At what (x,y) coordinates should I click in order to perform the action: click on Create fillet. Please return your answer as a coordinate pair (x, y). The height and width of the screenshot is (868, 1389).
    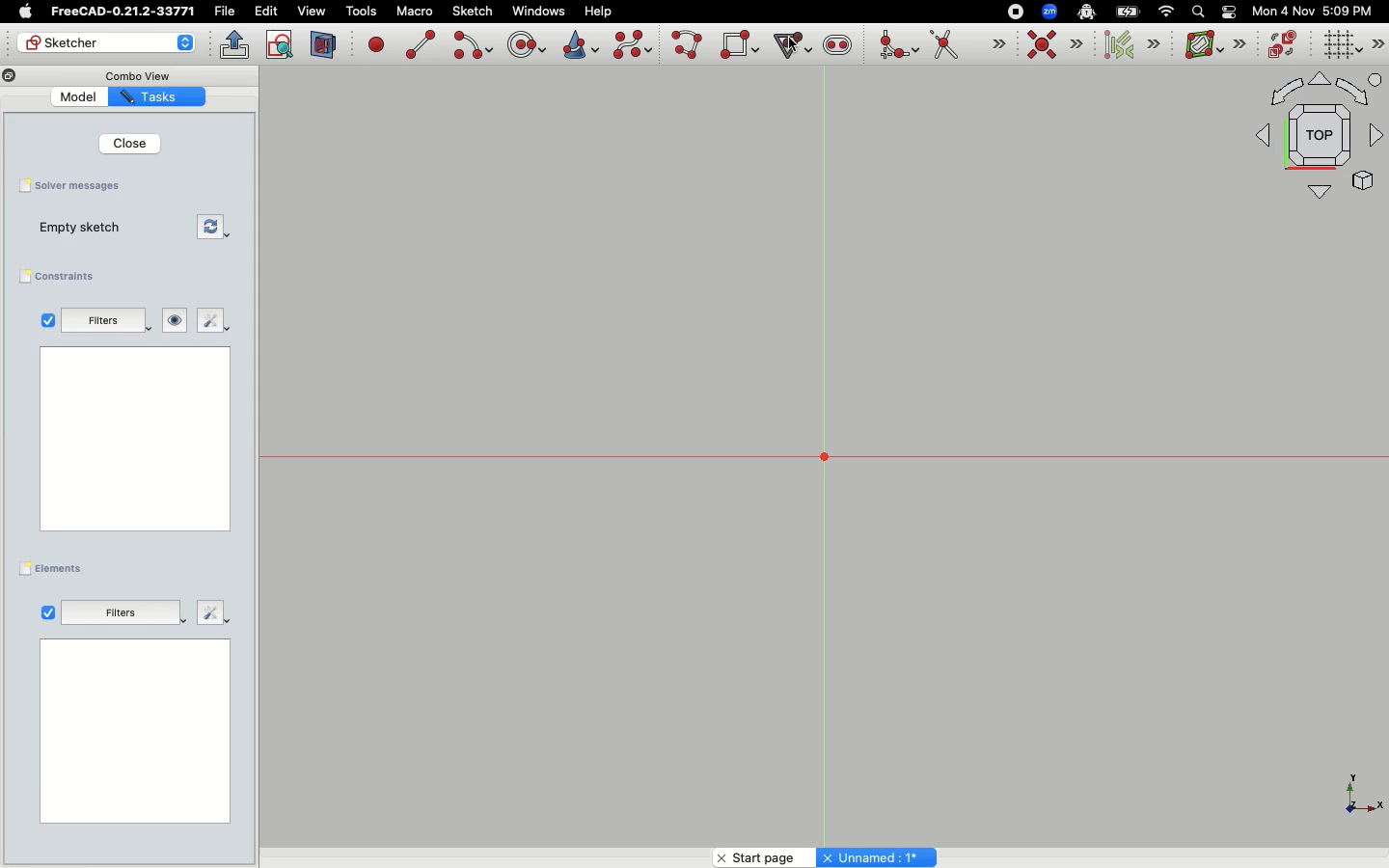
    Looking at the image, I should click on (897, 46).